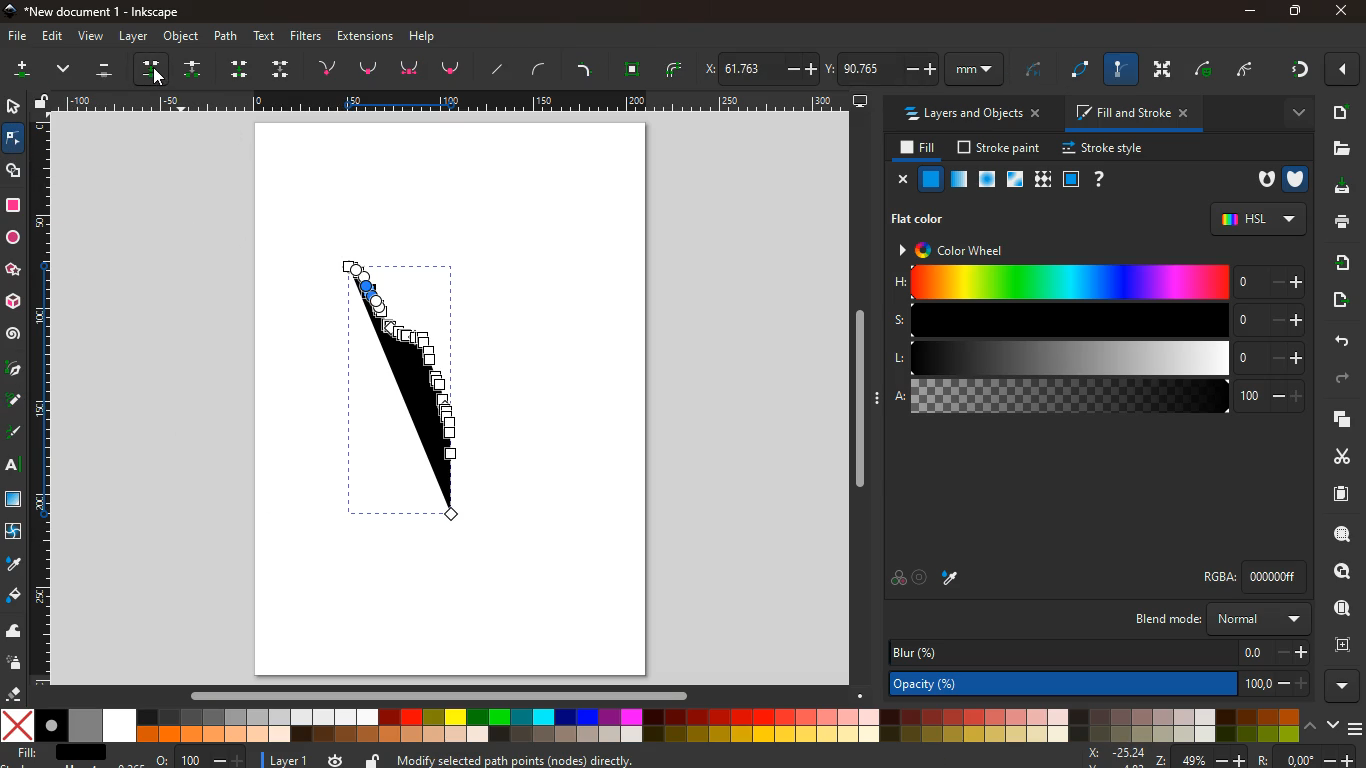 The height and width of the screenshot is (768, 1366). Describe the element at coordinates (1165, 69) in the screenshot. I see `fullscreen` at that location.